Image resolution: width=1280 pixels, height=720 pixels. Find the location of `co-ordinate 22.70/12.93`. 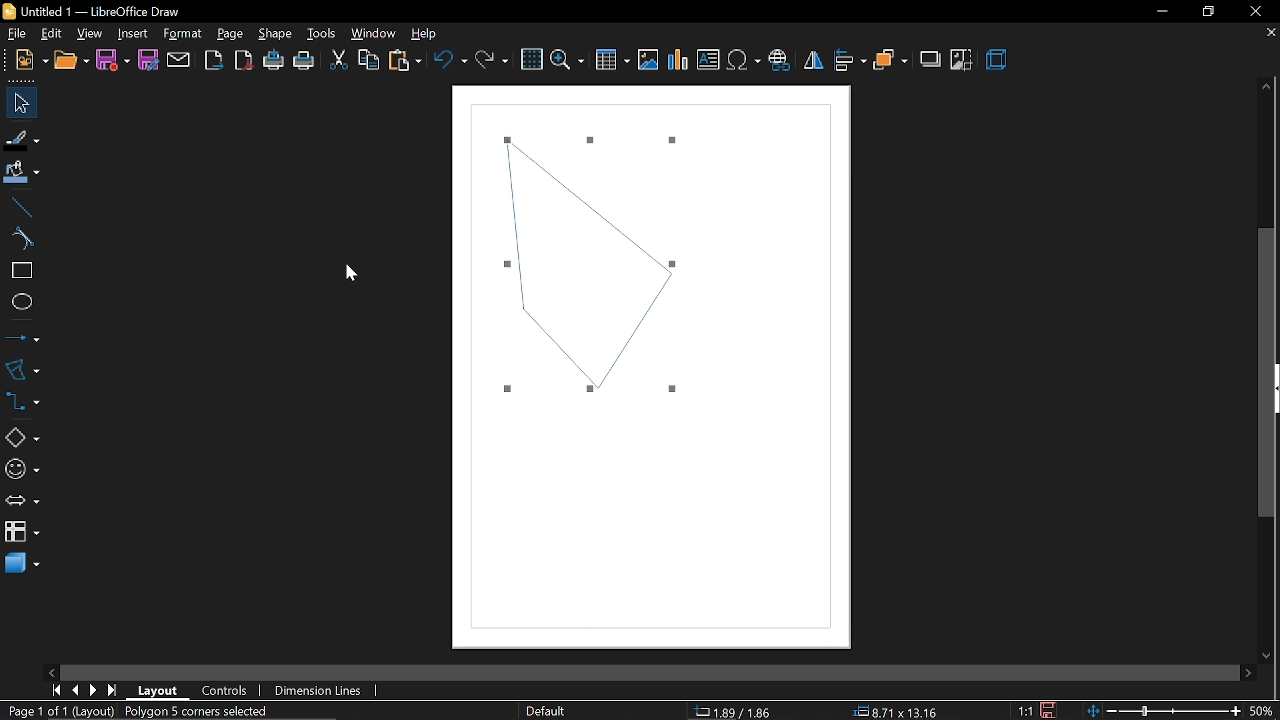

co-ordinate 22.70/12.93 is located at coordinates (742, 711).